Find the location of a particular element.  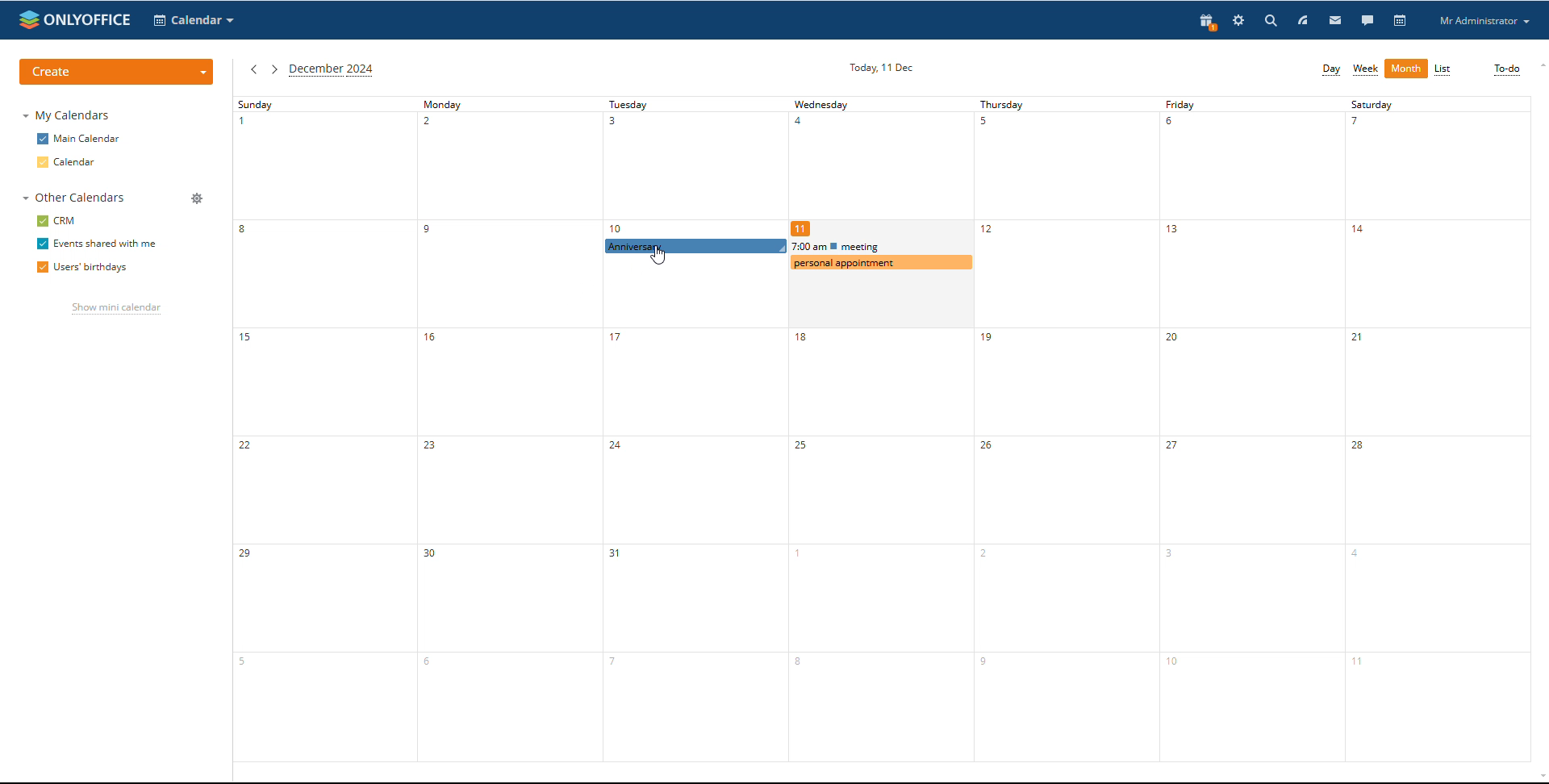

select application is located at coordinates (194, 21).